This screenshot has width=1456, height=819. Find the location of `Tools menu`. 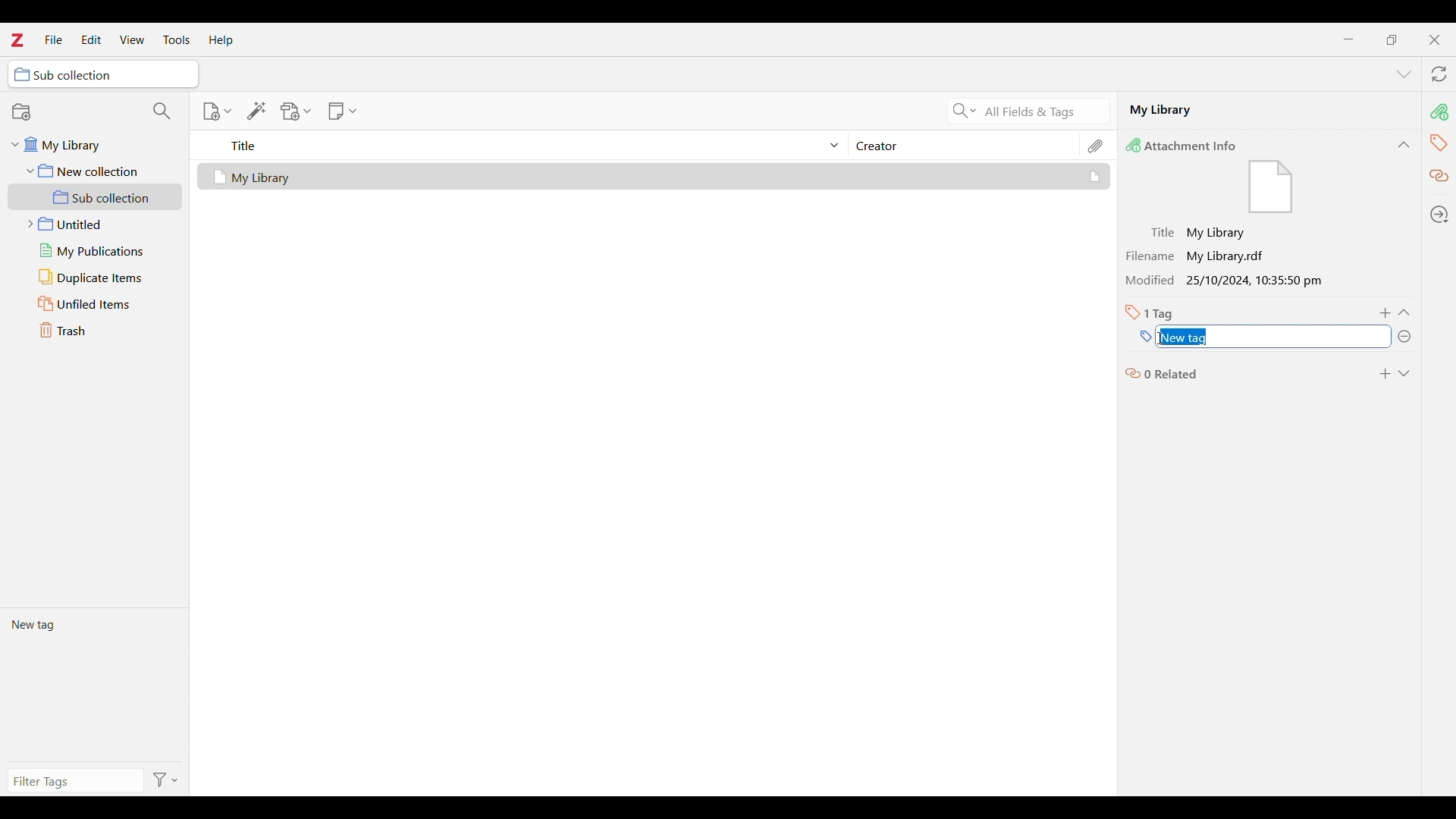

Tools menu is located at coordinates (177, 39).